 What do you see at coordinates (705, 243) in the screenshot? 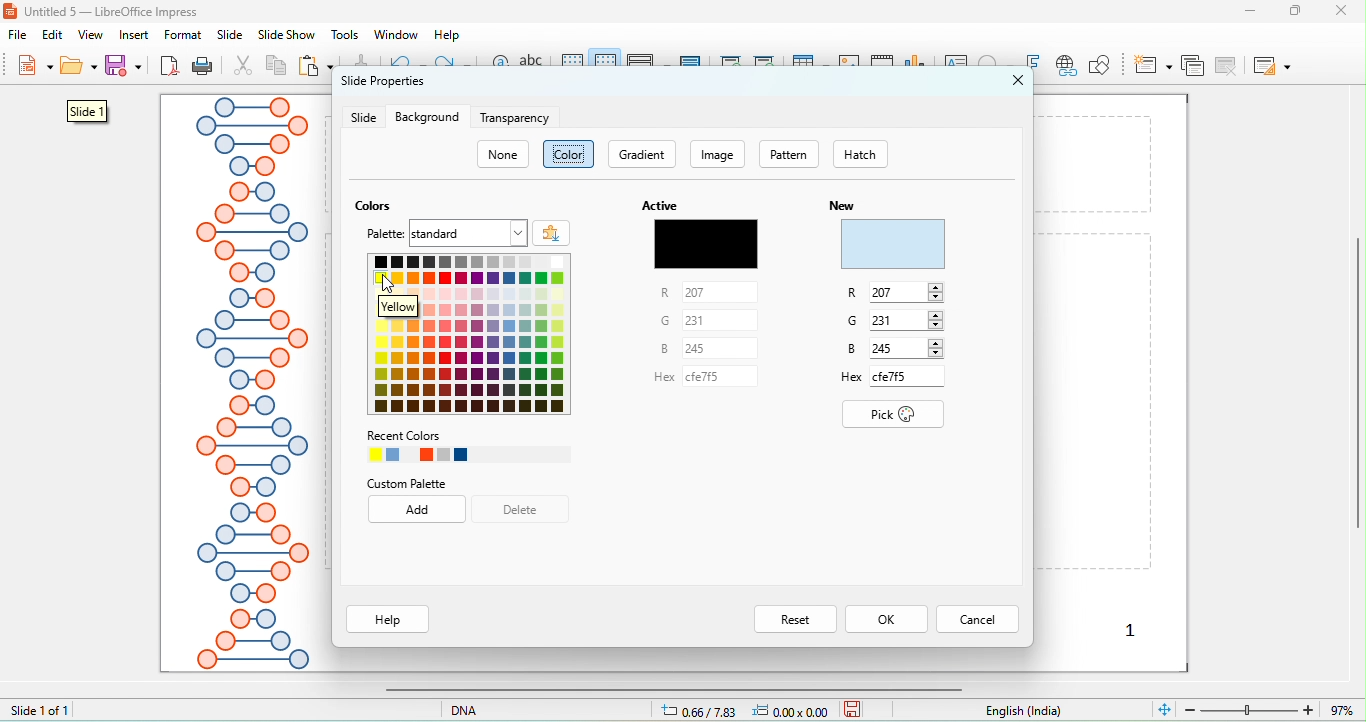
I see `black` at bounding box center [705, 243].